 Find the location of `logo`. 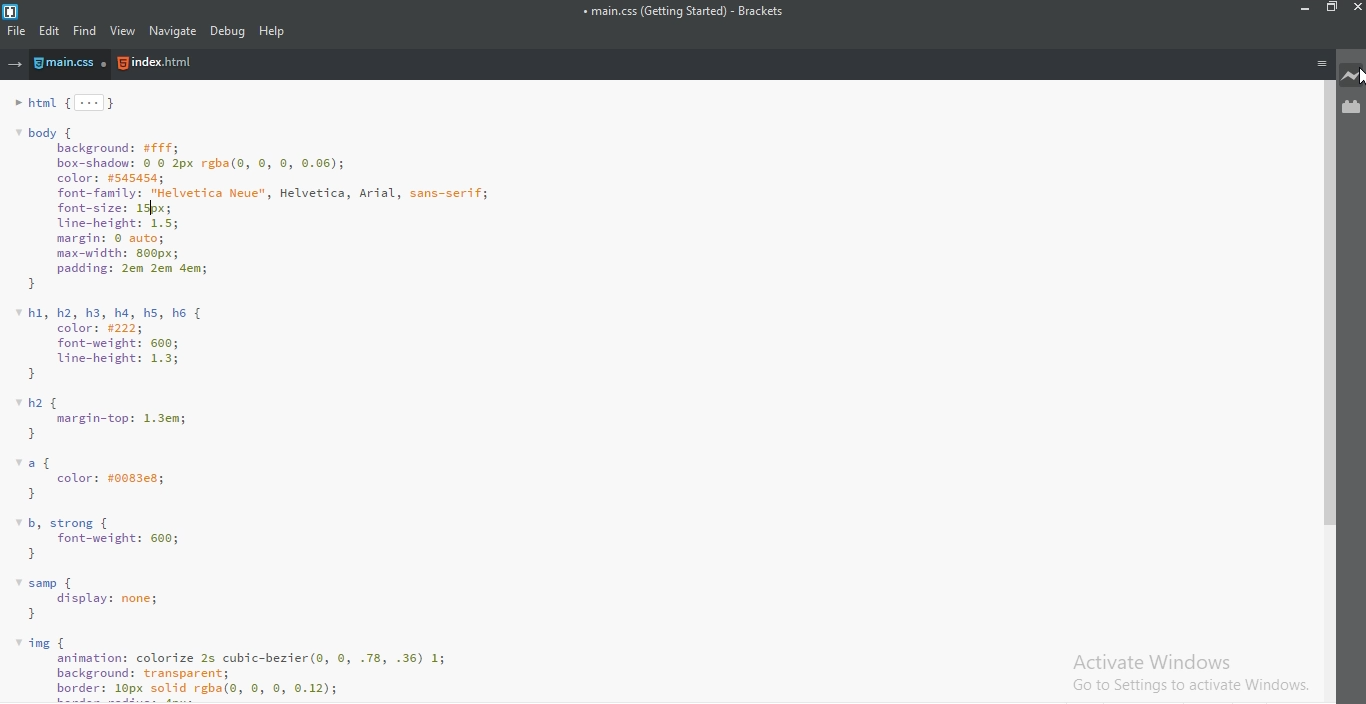

logo is located at coordinates (13, 9).